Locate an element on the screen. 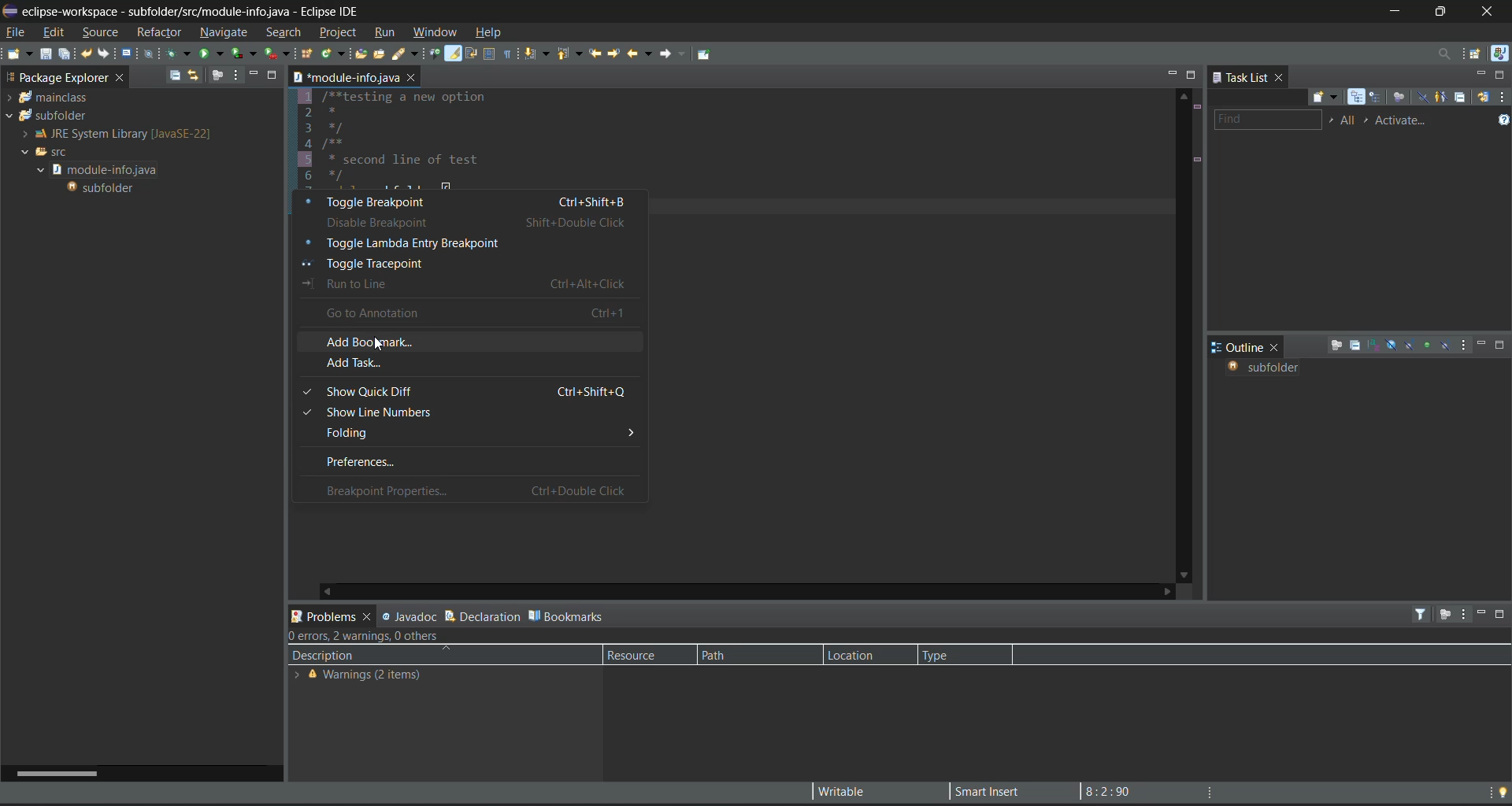  view menu is located at coordinates (235, 74).